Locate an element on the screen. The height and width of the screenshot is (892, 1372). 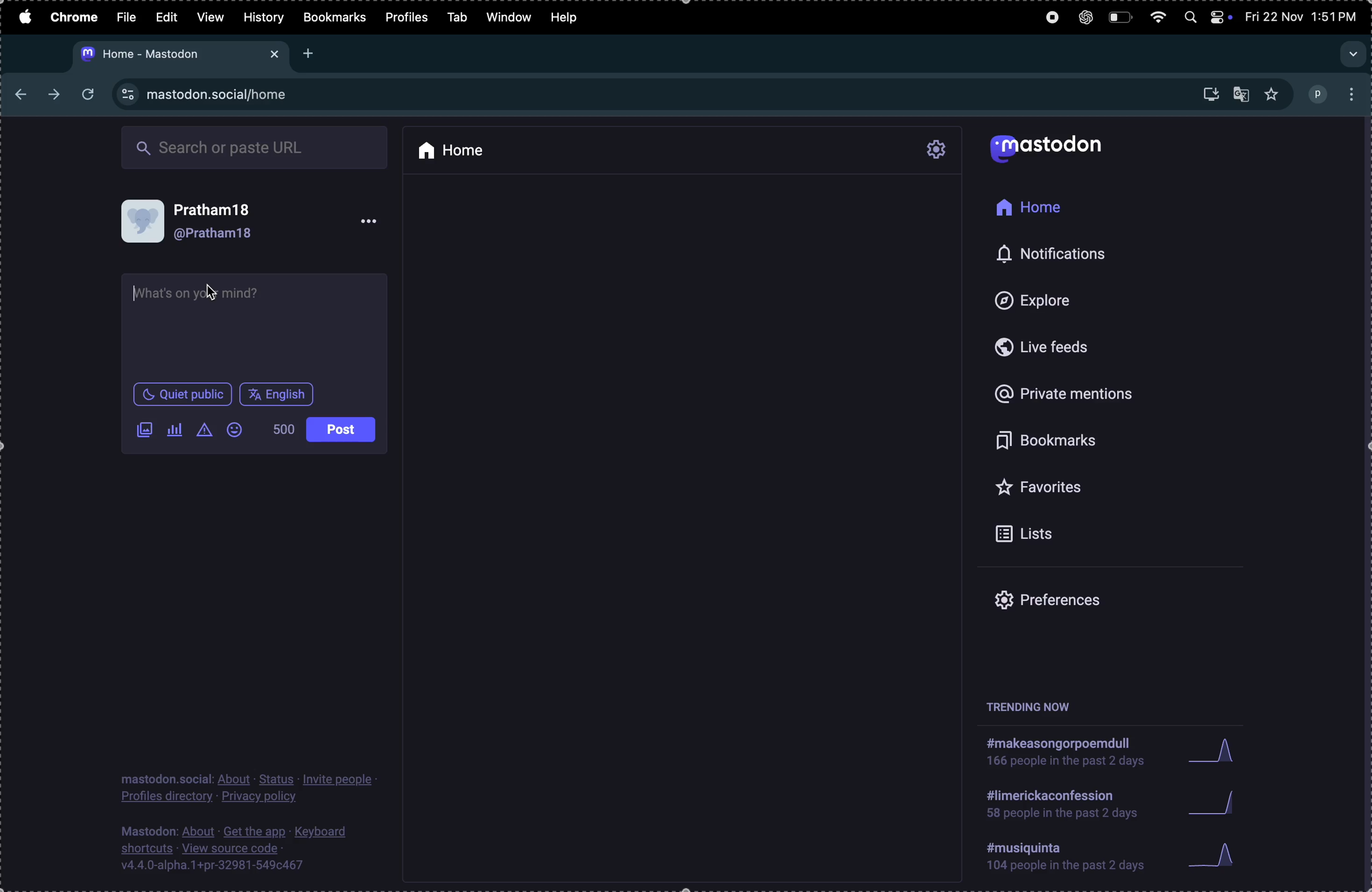
refresh is located at coordinates (92, 97).